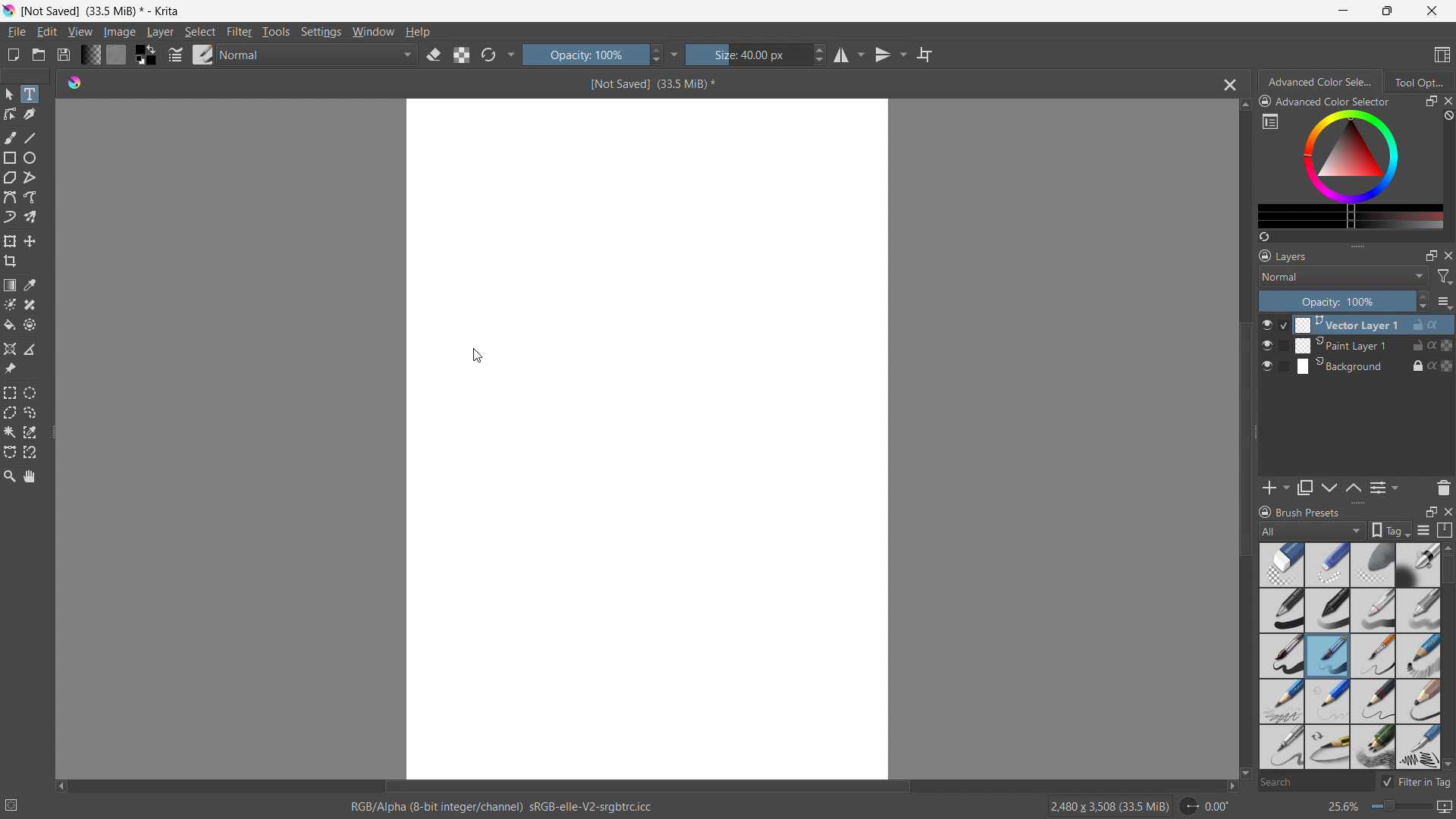  What do you see at coordinates (30, 476) in the screenshot?
I see `pan tool` at bounding box center [30, 476].